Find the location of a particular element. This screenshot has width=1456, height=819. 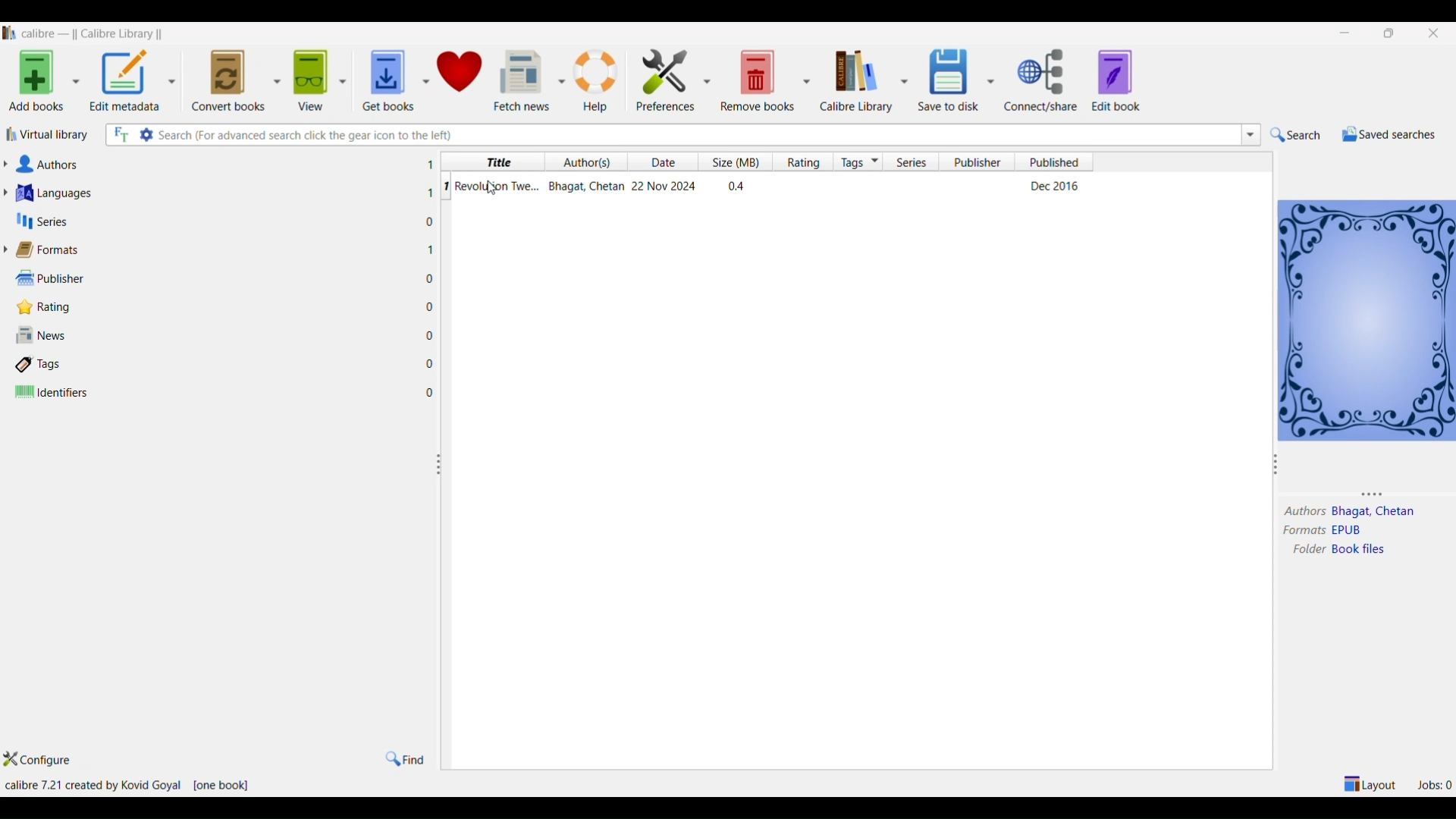

0 is located at coordinates (429, 334).